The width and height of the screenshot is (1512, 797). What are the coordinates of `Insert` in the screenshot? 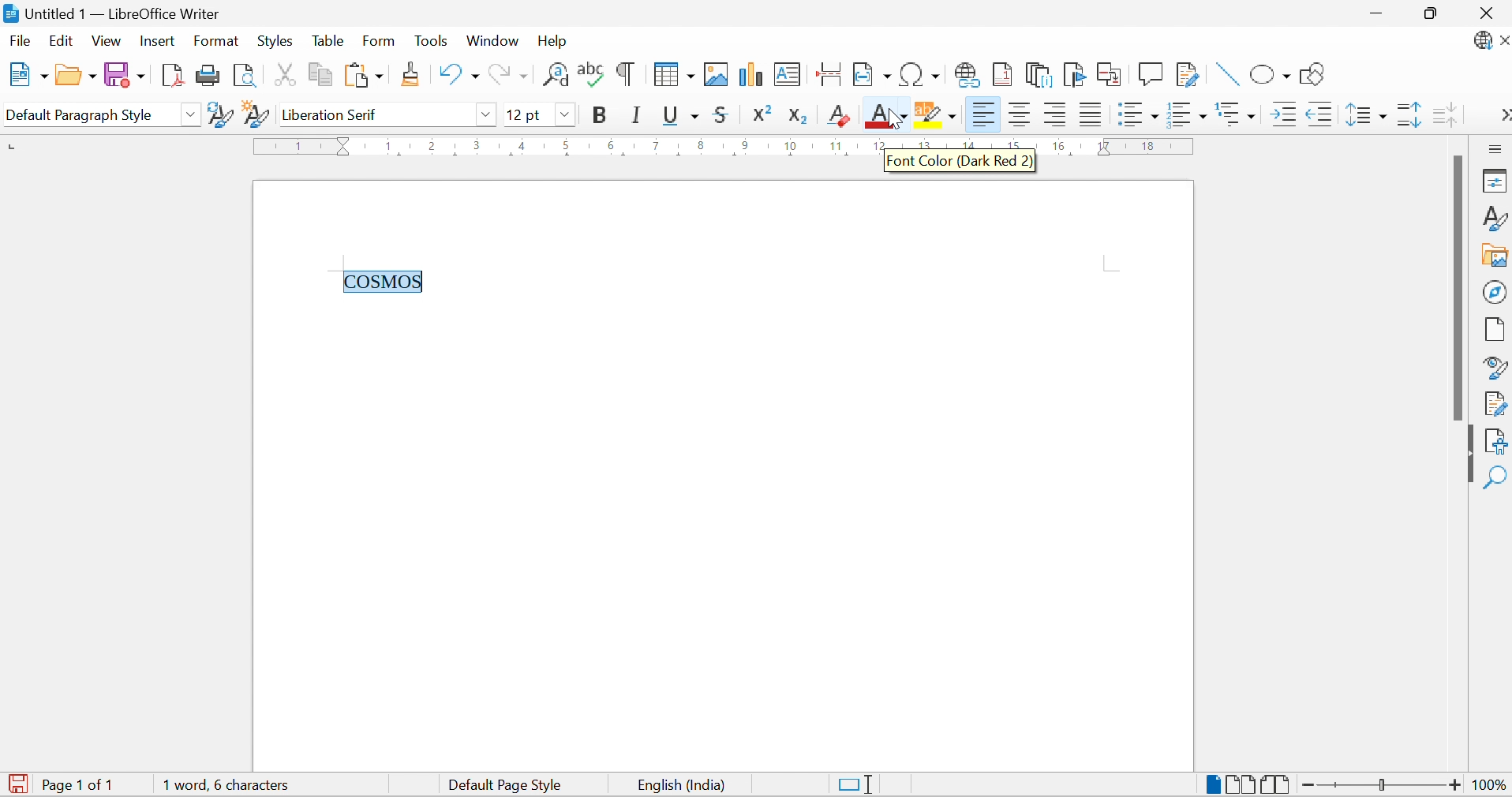 It's located at (159, 42).